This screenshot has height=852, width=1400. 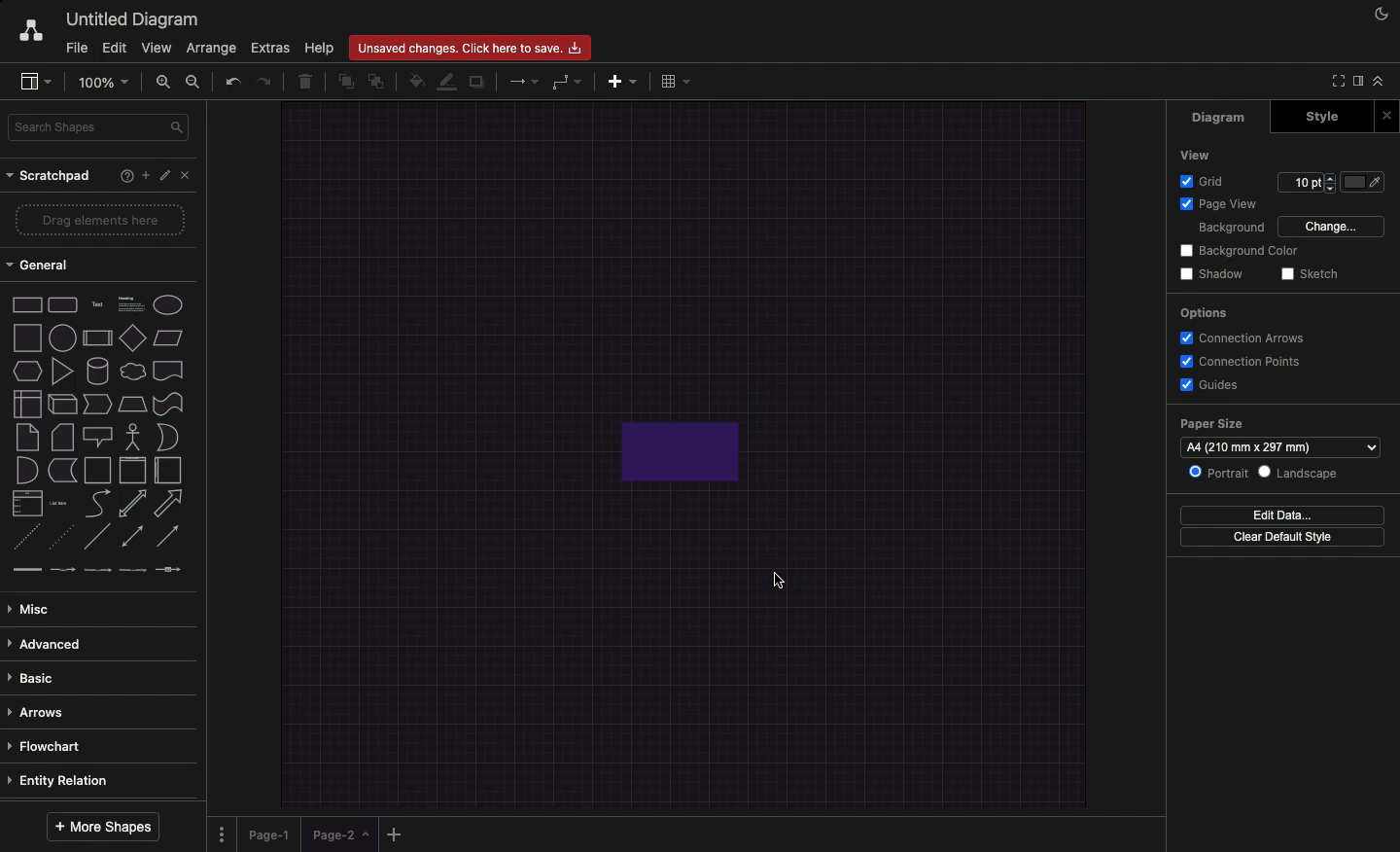 I want to click on Duplicate, so click(x=479, y=79).